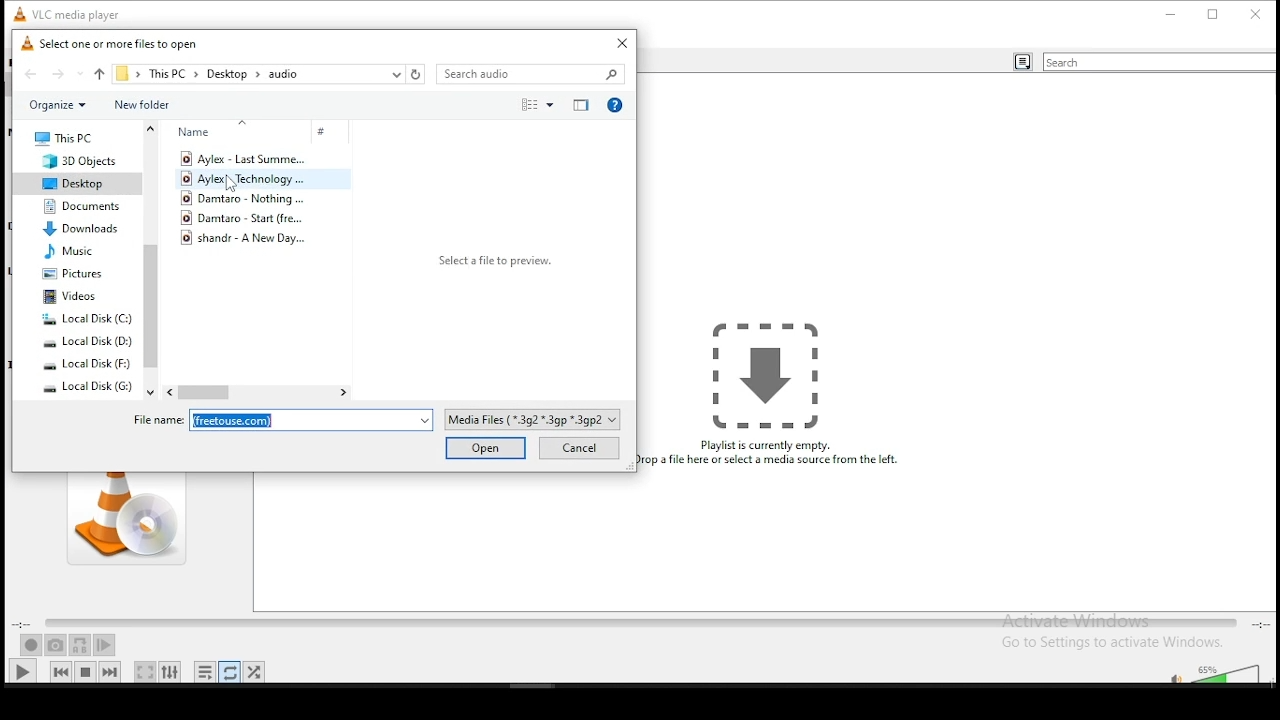 The height and width of the screenshot is (720, 1280). I want to click on new folder, so click(144, 105).